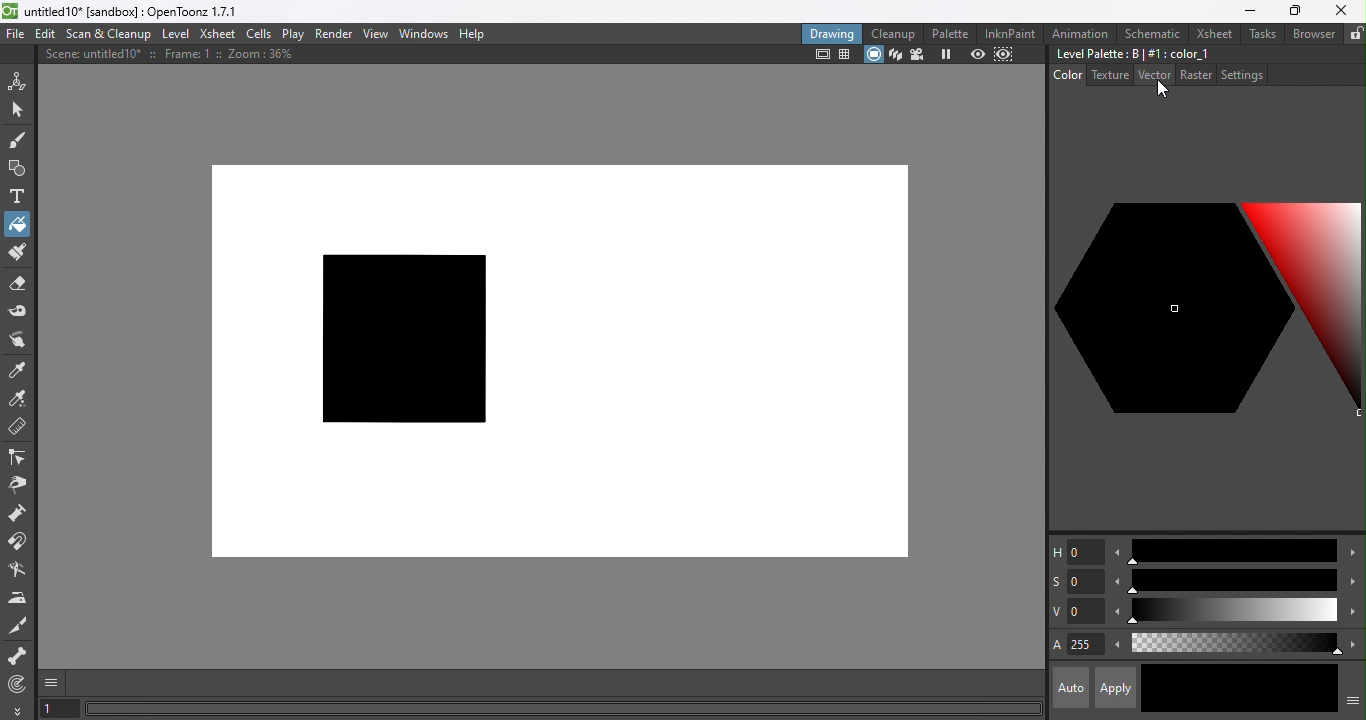 The width and height of the screenshot is (1366, 720). Describe the element at coordinates (22, 368) in the screenshot. I see `Style picker tool` at that location.